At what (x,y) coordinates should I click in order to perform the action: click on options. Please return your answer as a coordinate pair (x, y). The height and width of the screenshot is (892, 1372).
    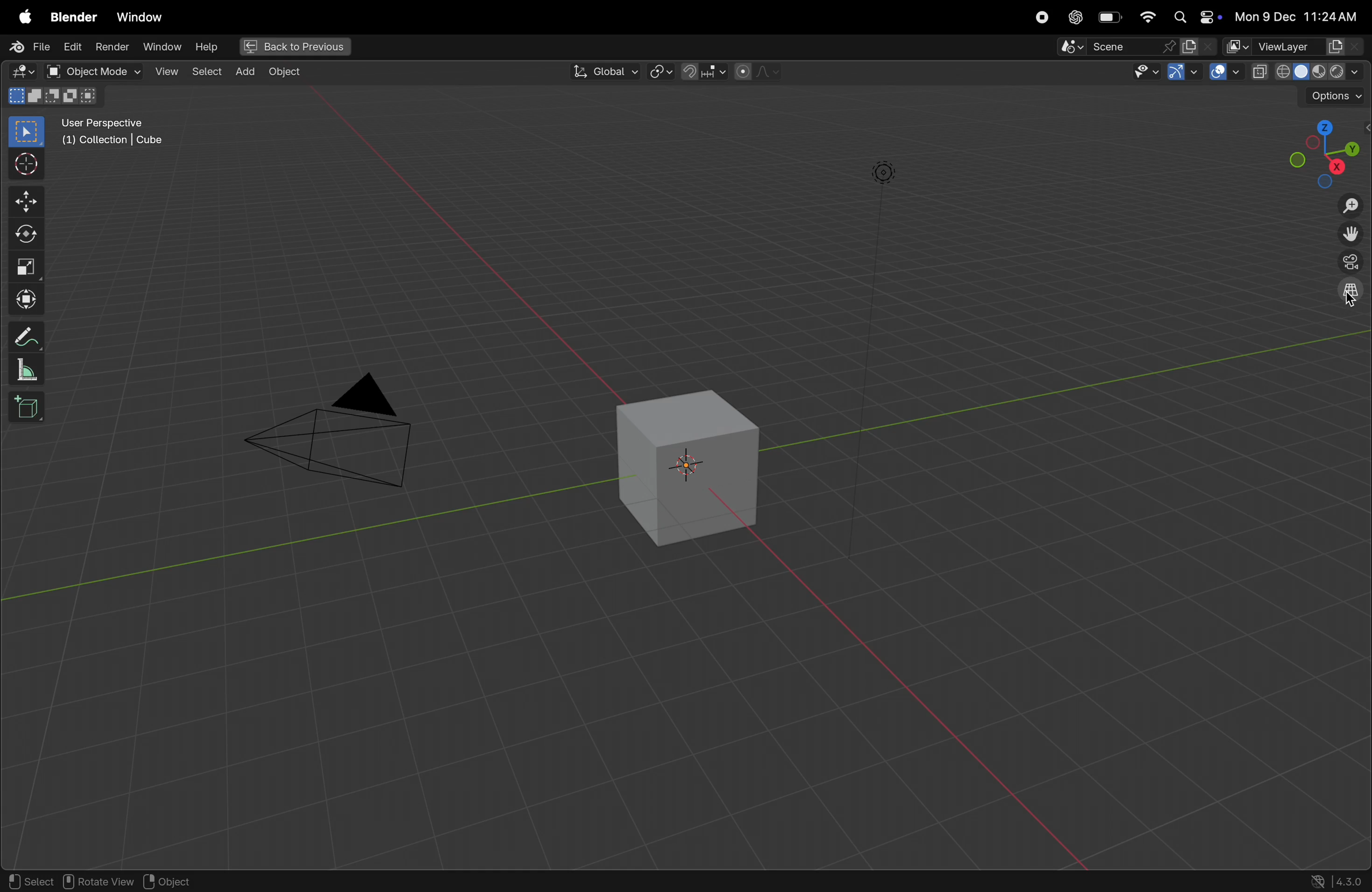
    Looking at the image, I should click on (1331, 97).